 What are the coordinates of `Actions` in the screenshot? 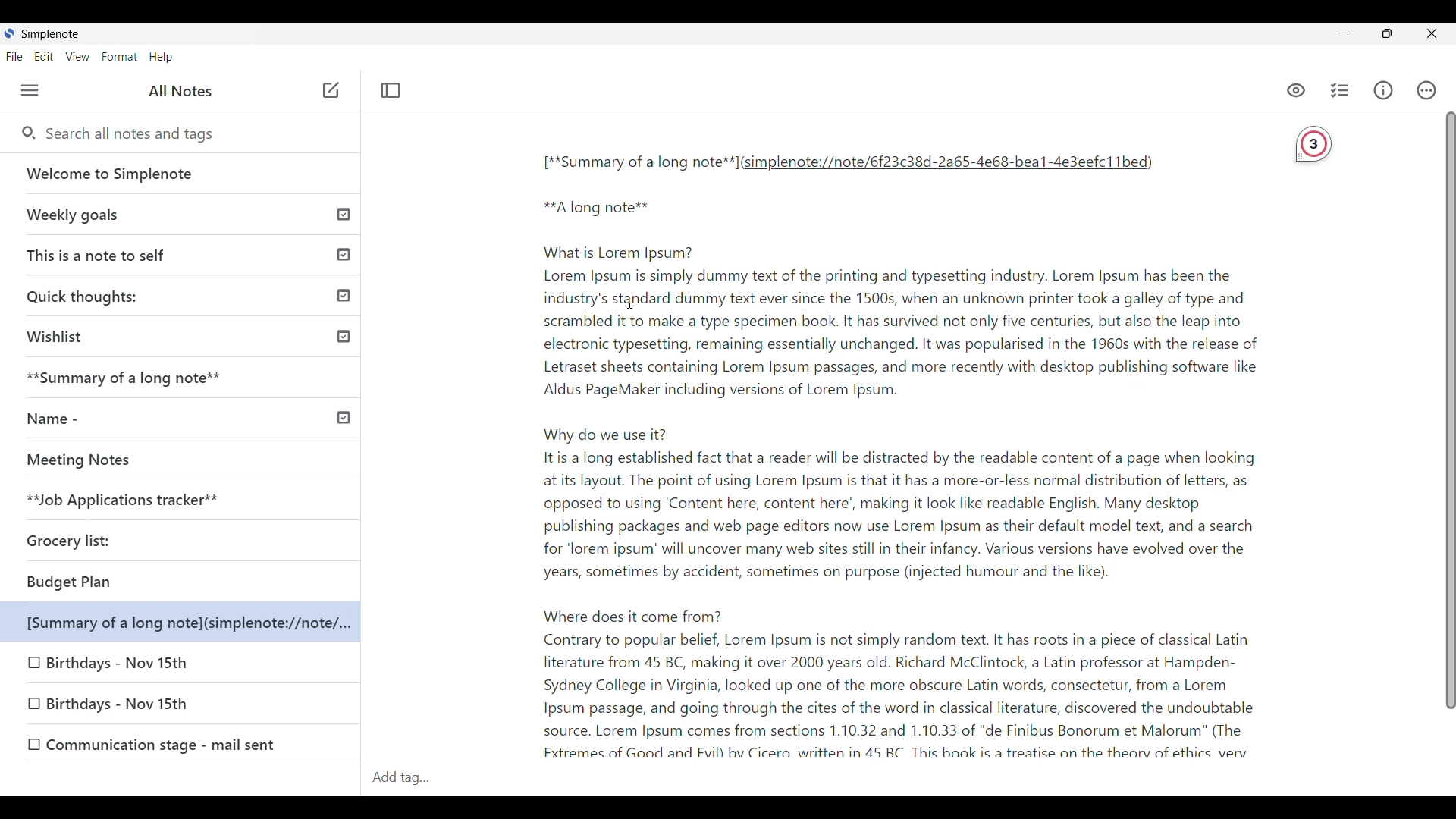 It's located at (1427, 90).